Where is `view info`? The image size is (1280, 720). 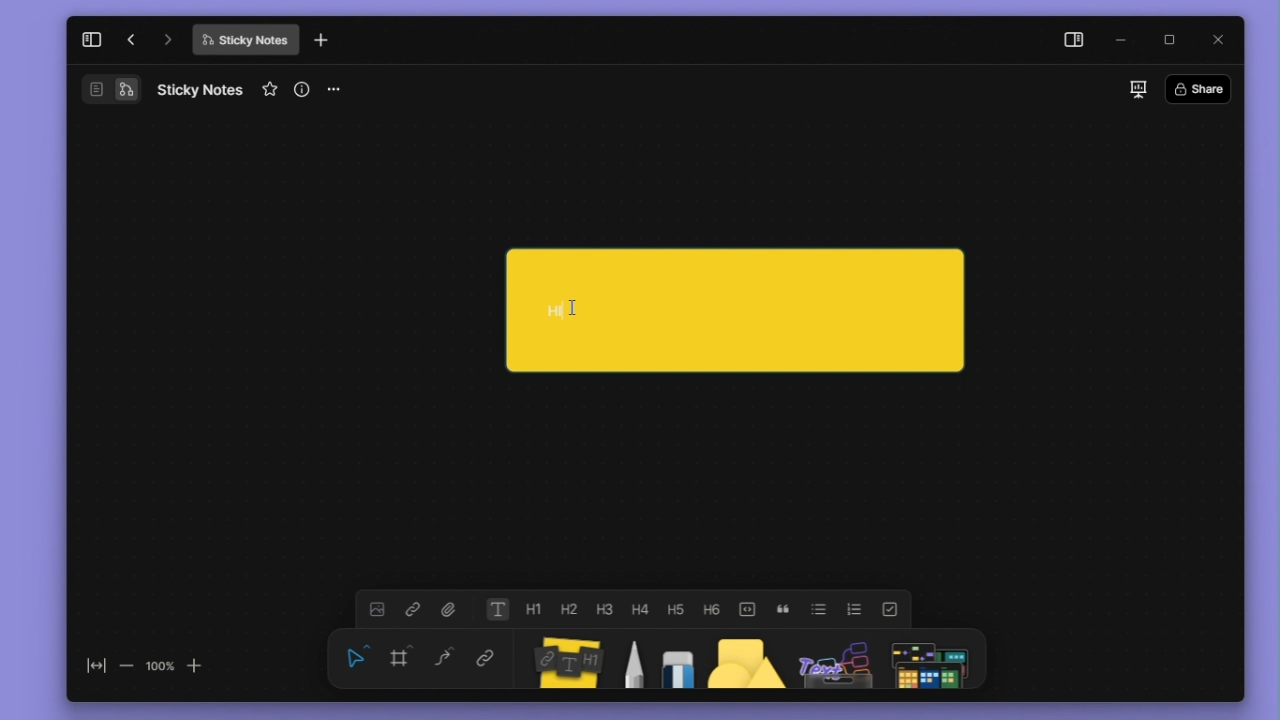 view info is located at coordinates (301, 89).